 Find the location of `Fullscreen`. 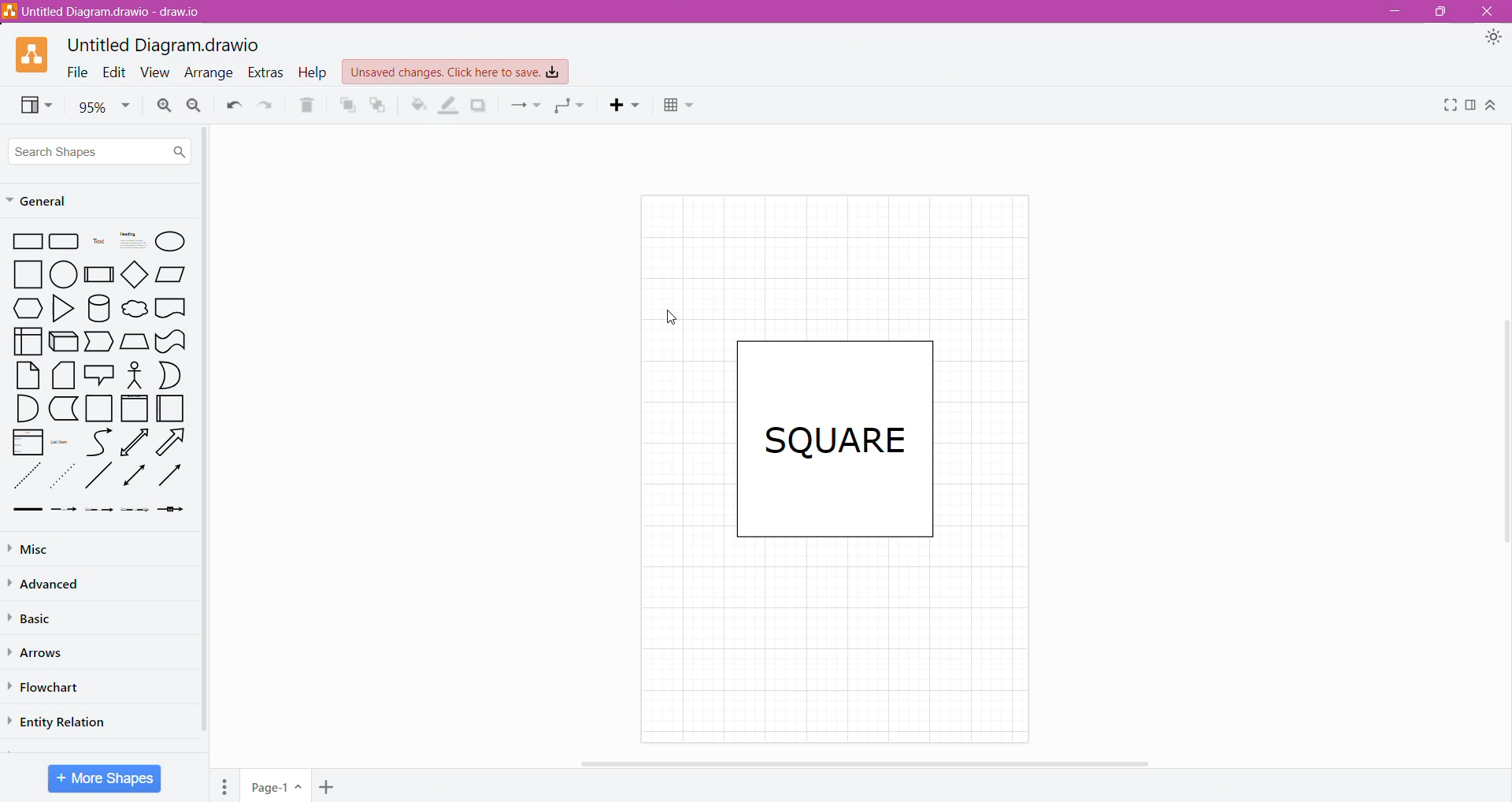

Fullscreen is located at coordinates (1447, 108).